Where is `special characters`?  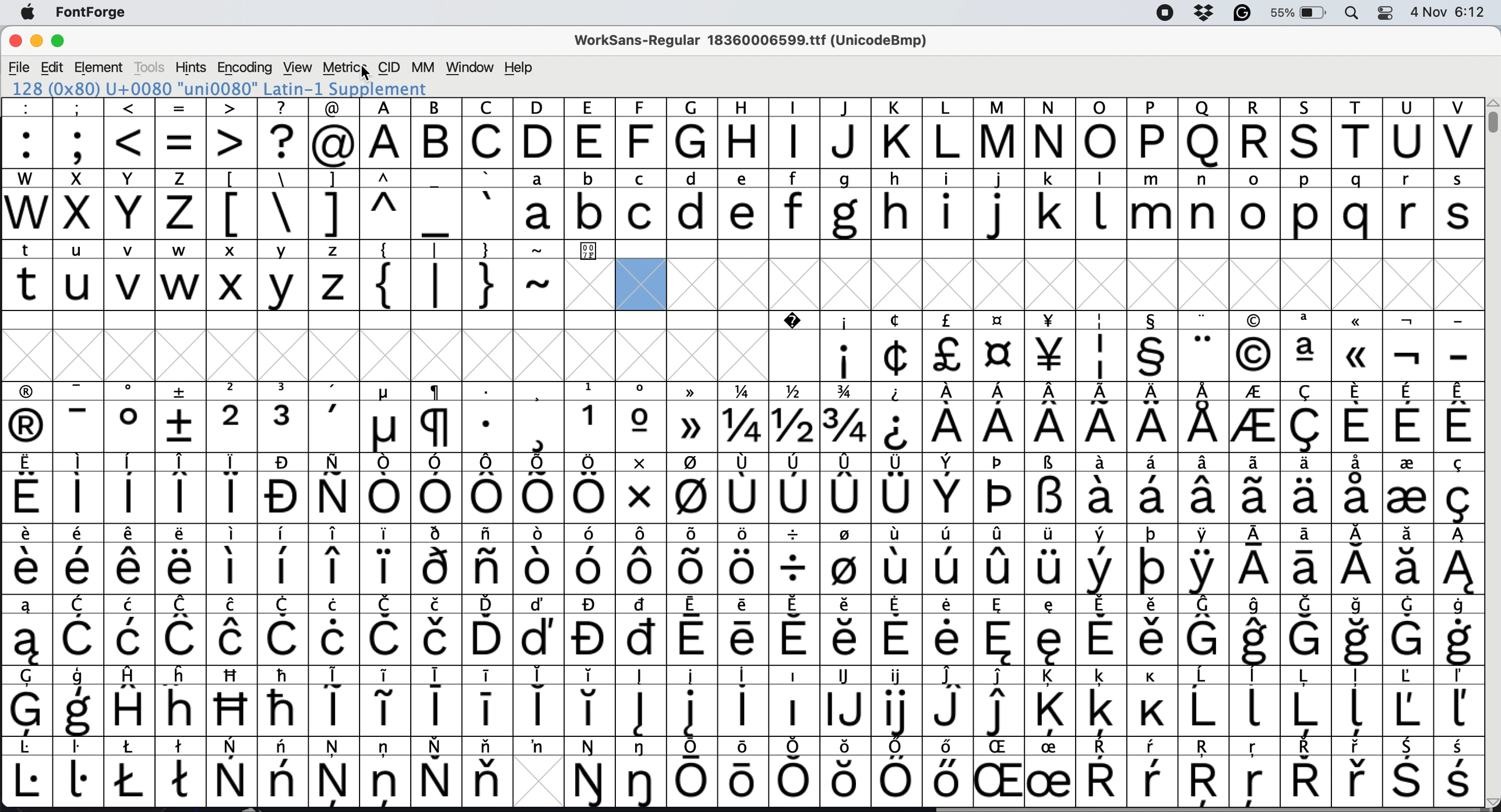 special characters is located at coordinates (360, 213).